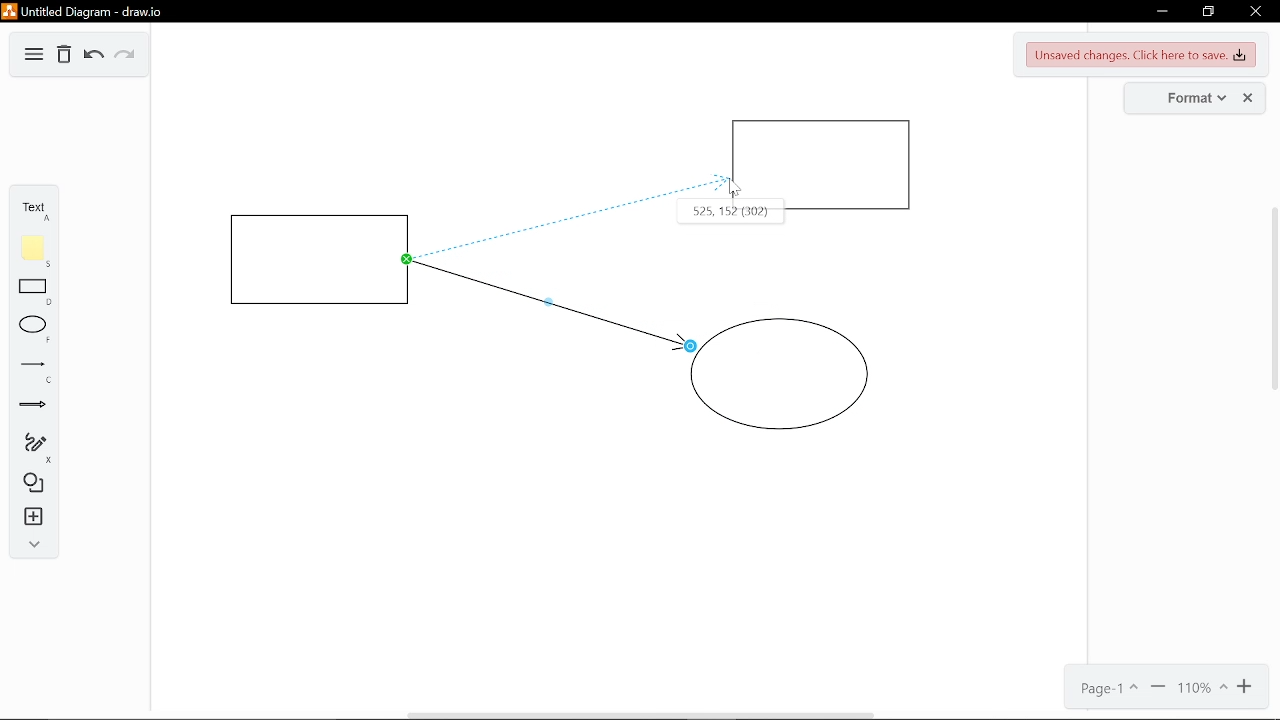 Image resolution: width=1280 pixels, height=720 pixels. What do you see at coordinates (34, 251) in the screenshot?
I see `Note` at bounding box center [34, 251].